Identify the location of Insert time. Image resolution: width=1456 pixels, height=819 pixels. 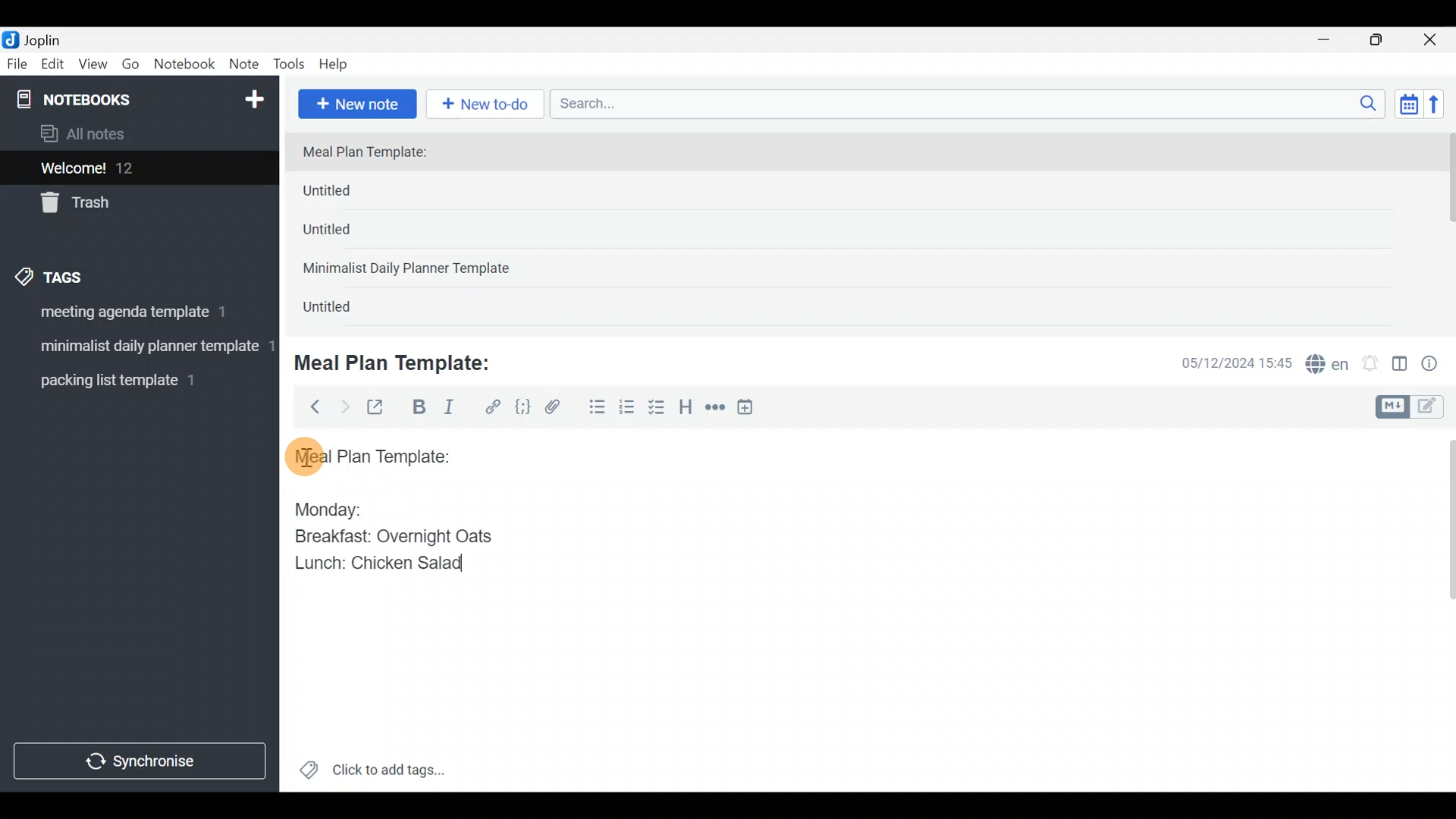
(752, 409).